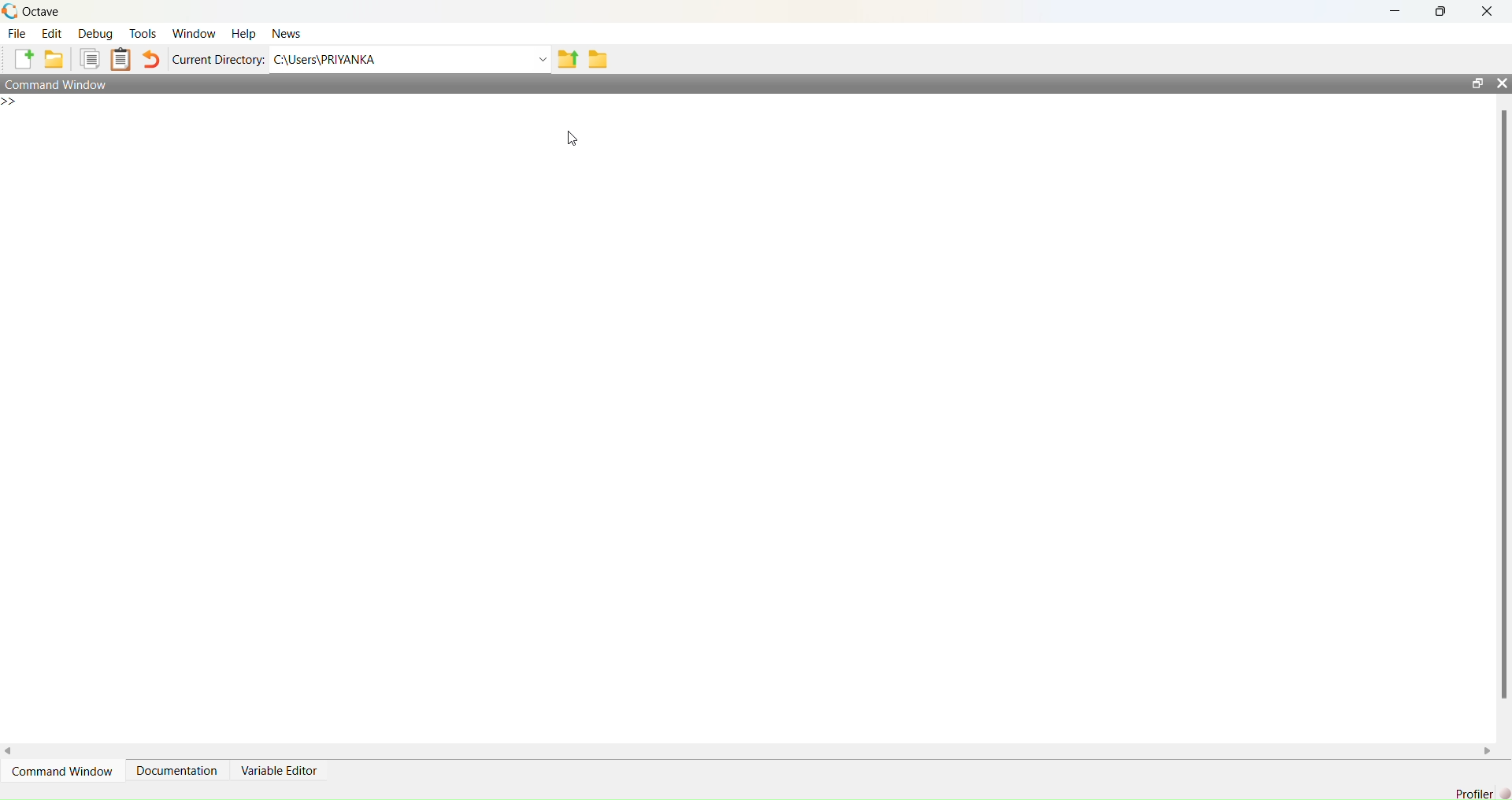 The height and width of the screenshot is (800, 1512). Describe the element at coordinates (9, 751) in the screenshot. I see `scroll left` at that location.